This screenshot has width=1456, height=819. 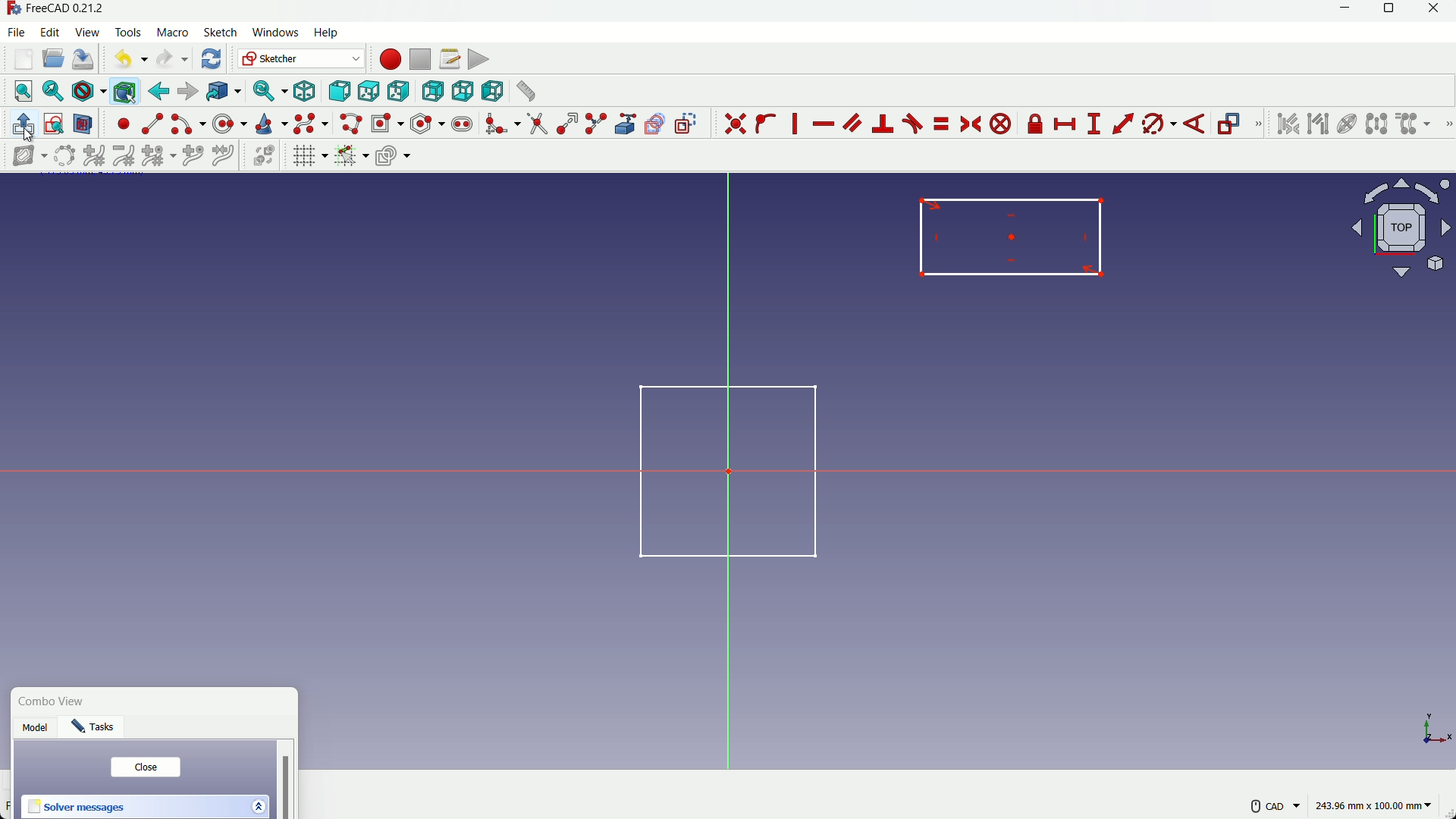 I want to click on back, so click(x=158, y=91).